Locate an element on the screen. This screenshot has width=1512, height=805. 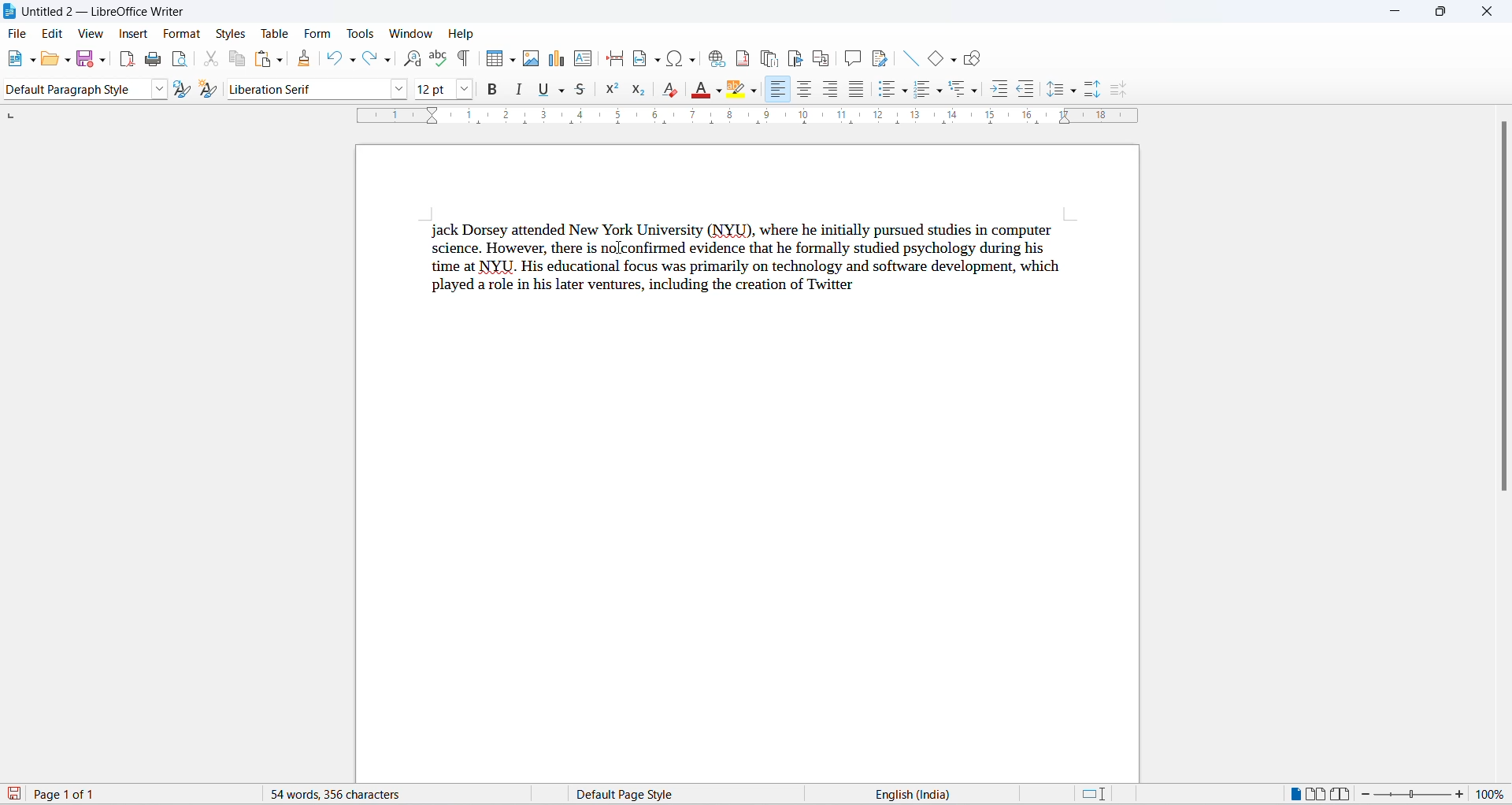
toggle formatting marks is located at coordinates (461, 61).